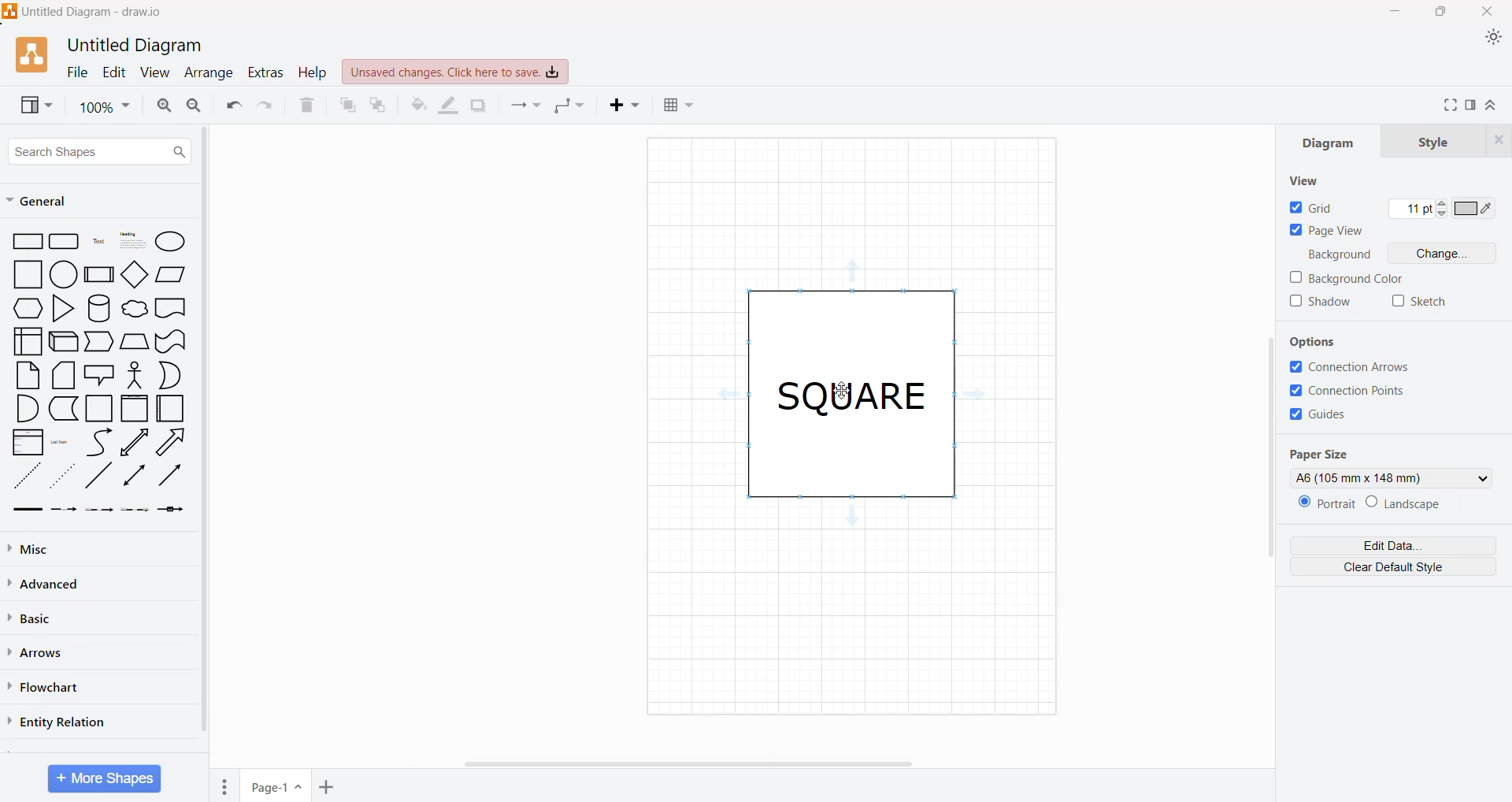 This screenshot has height=802, width=1512. What do you see at coordinates (171, 273) in the screenshot?
I see `Parallelogram ` at bounding box center [171, 273].